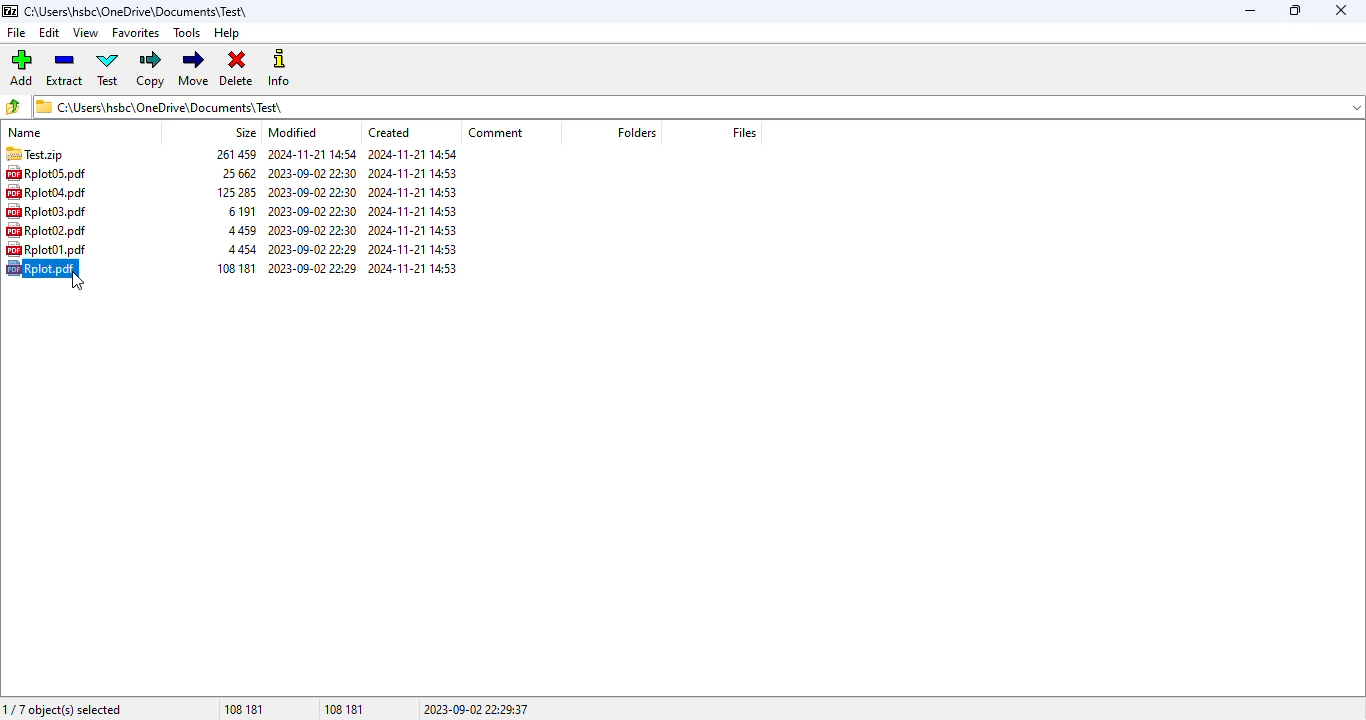 Image resolution: width=1366 pixels, height=720 pixels. What do you see at coordinates (293, 132) in the screenshot?
I see `modified` at bounding box center [293, 132].